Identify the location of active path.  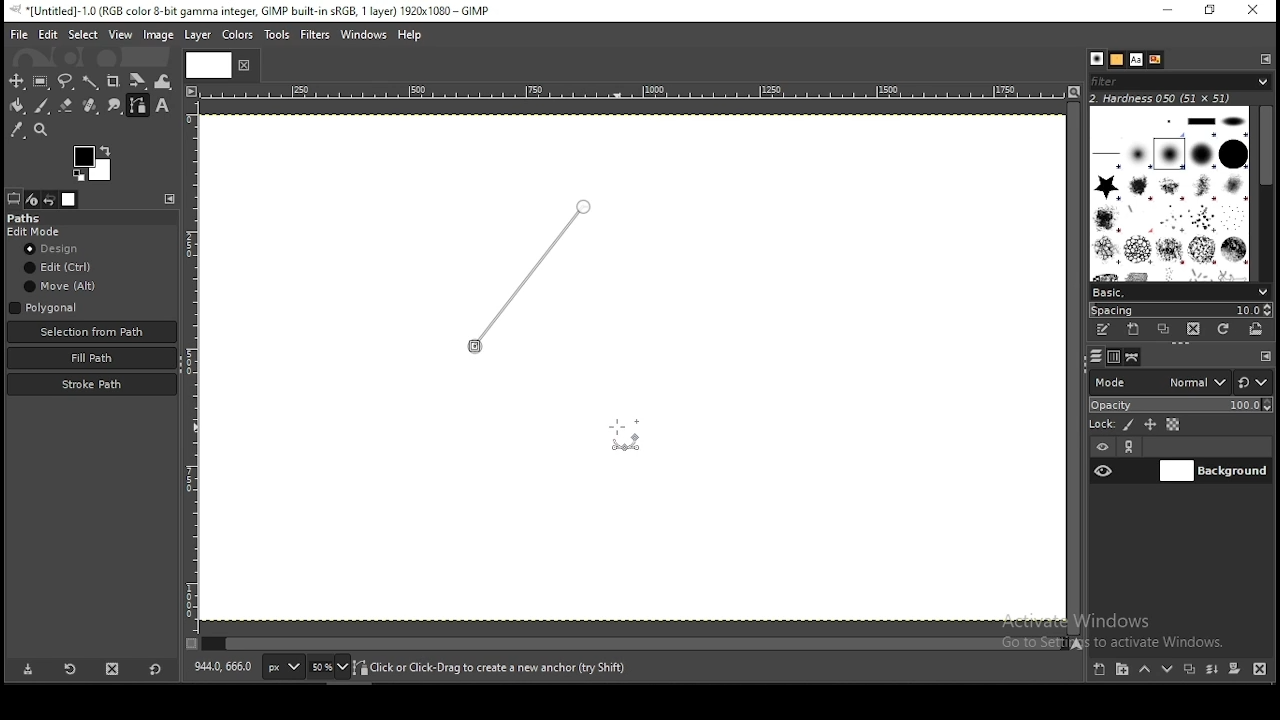
(532, 281).